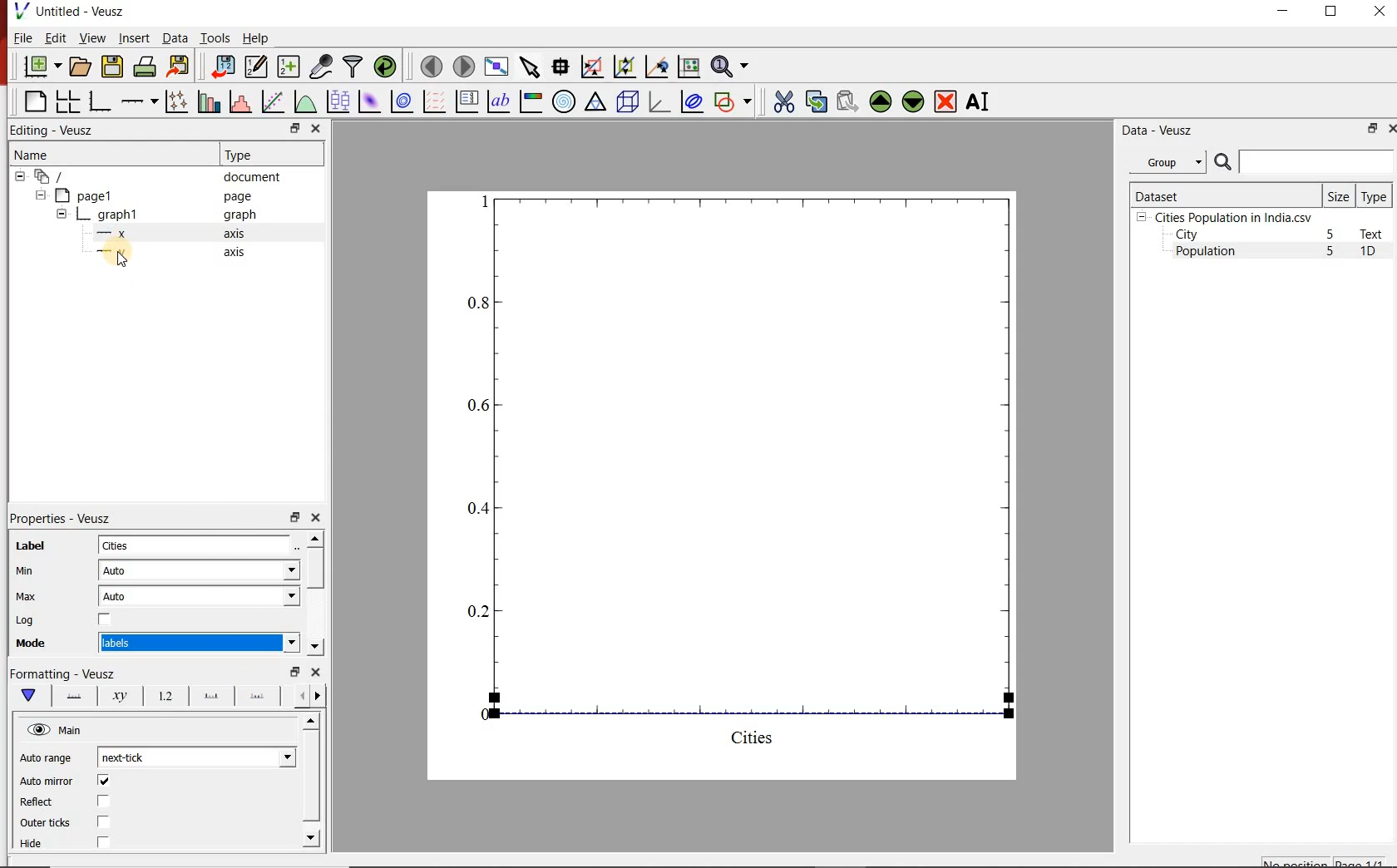  Describe the element at coordinates (286, 67) in the screenshot. I see `create new datasets using available options` at that location.